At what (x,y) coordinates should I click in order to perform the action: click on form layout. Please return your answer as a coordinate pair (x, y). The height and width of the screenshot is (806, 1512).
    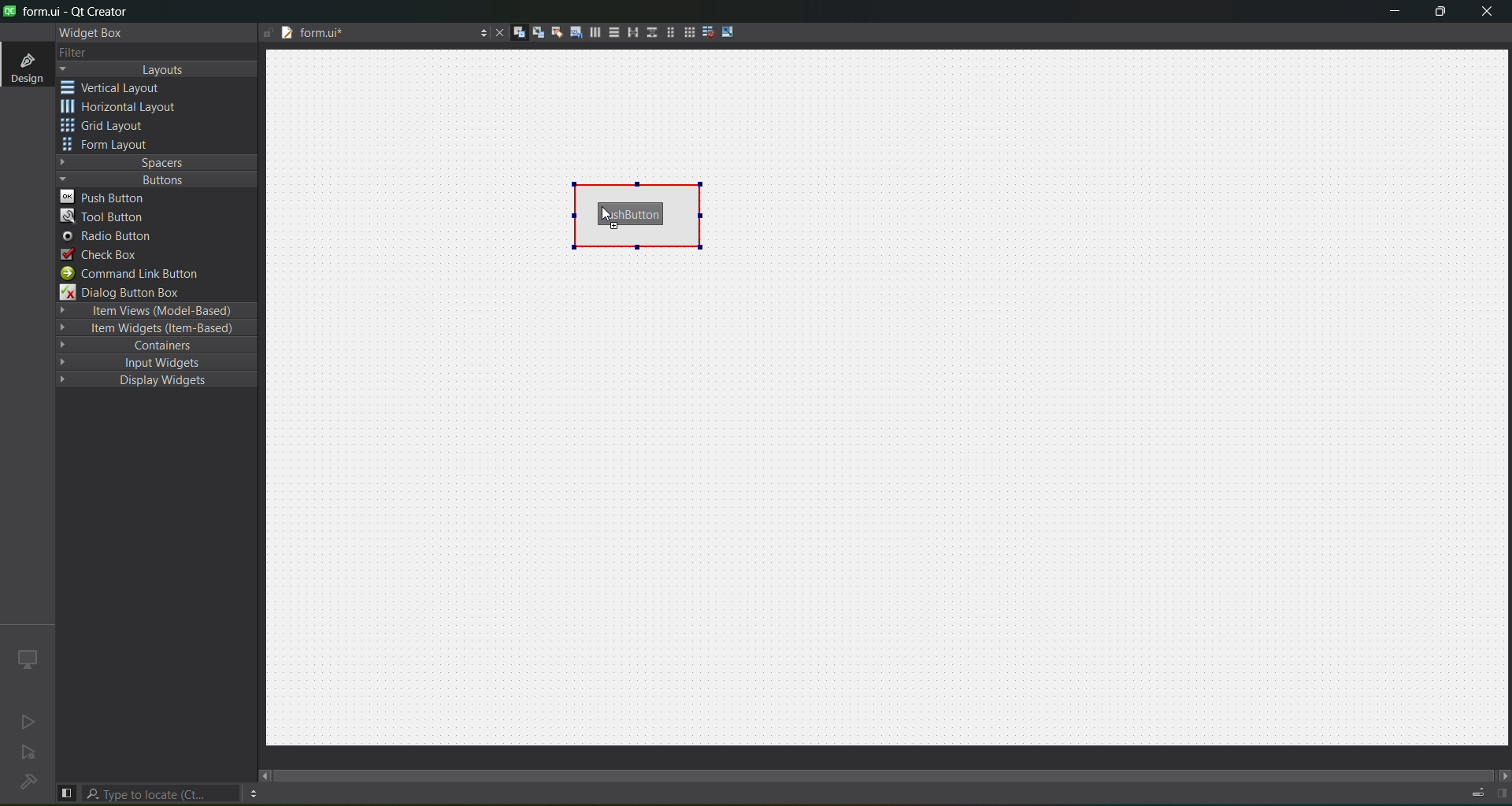
    Looking at the image, I should click on (667, 32).